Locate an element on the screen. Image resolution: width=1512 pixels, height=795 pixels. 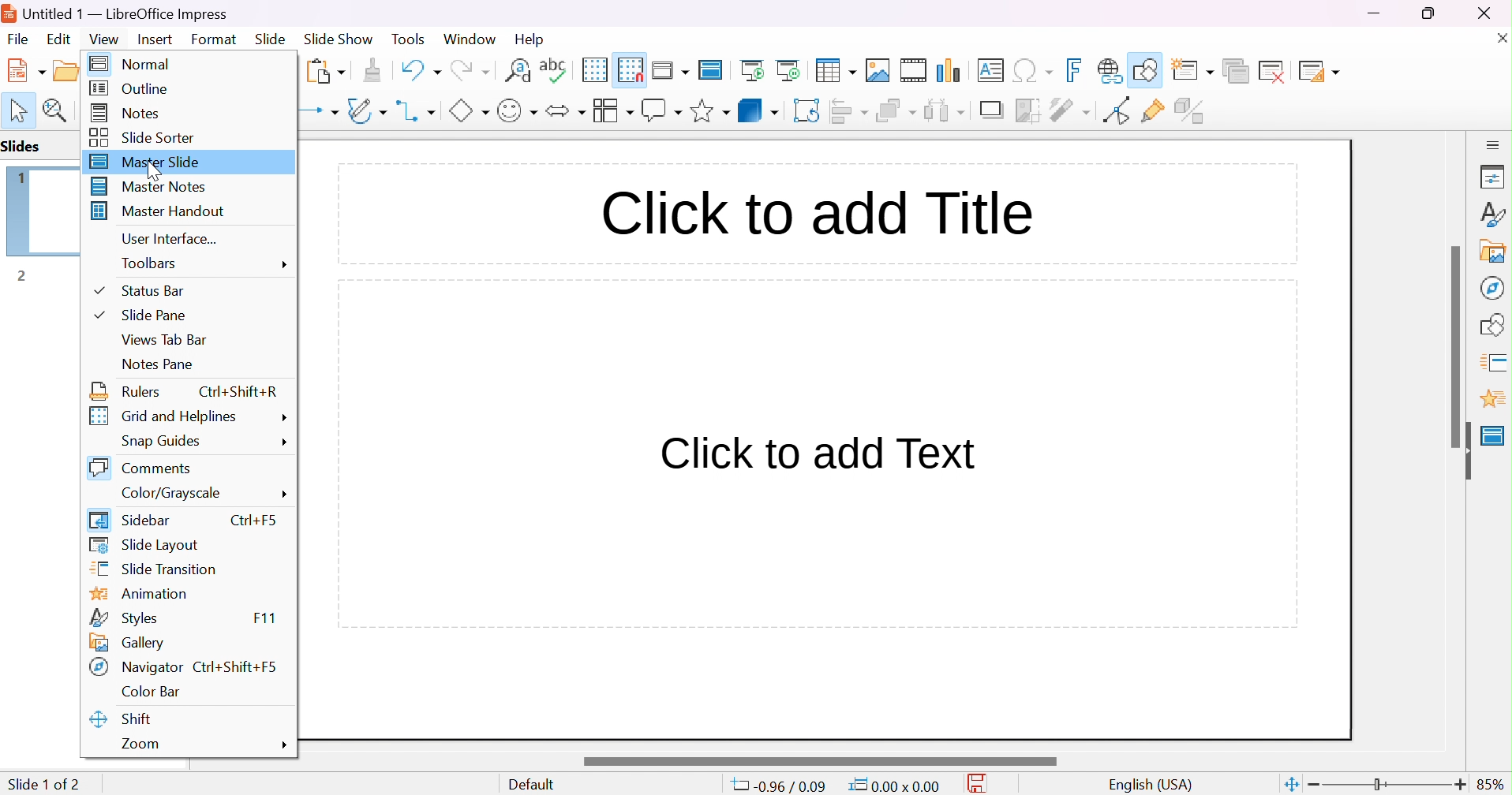
more is located at coordinates (286, 443).